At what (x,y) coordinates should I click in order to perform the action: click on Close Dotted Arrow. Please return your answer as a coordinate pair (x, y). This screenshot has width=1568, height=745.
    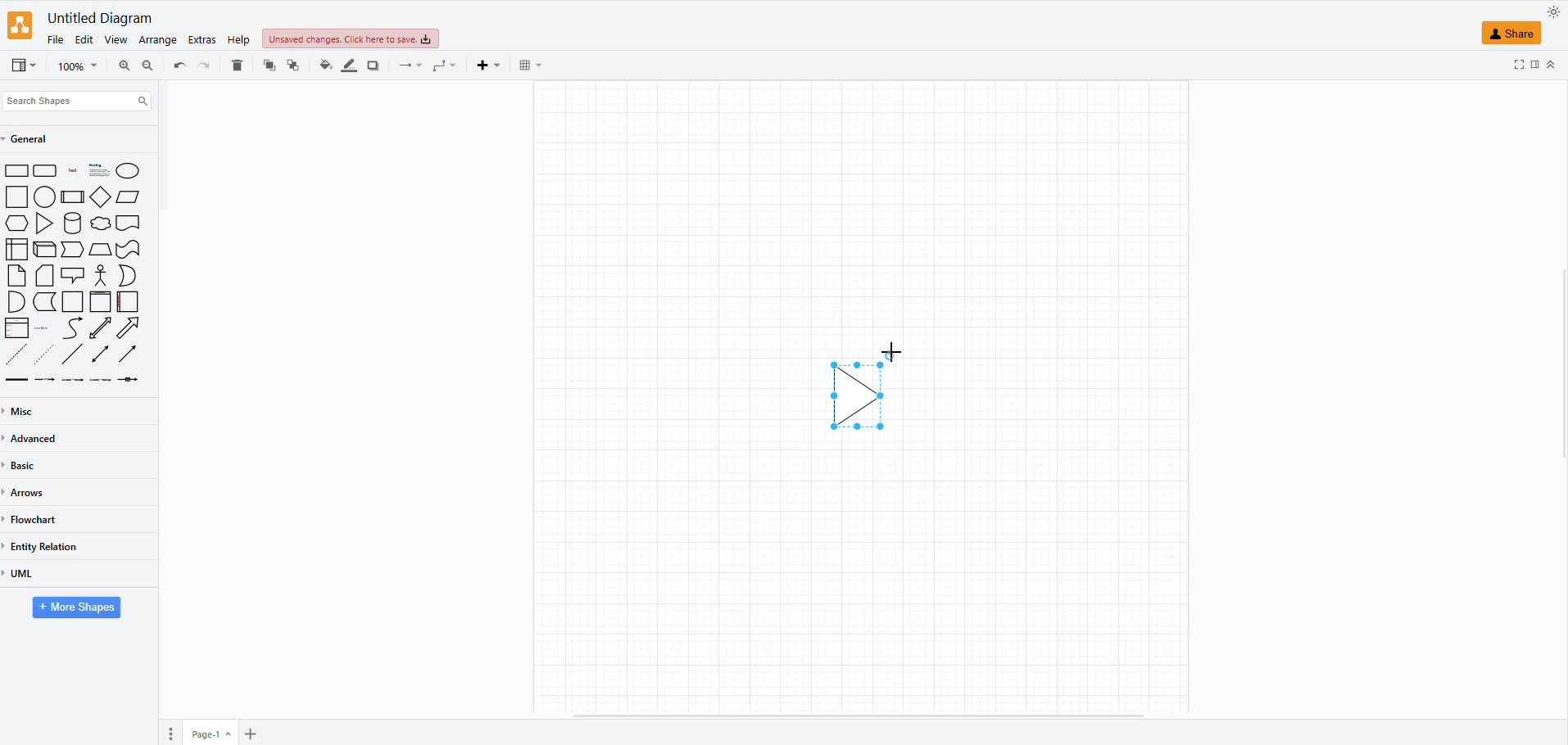
    Looking at the image, I should click on (16, 354).